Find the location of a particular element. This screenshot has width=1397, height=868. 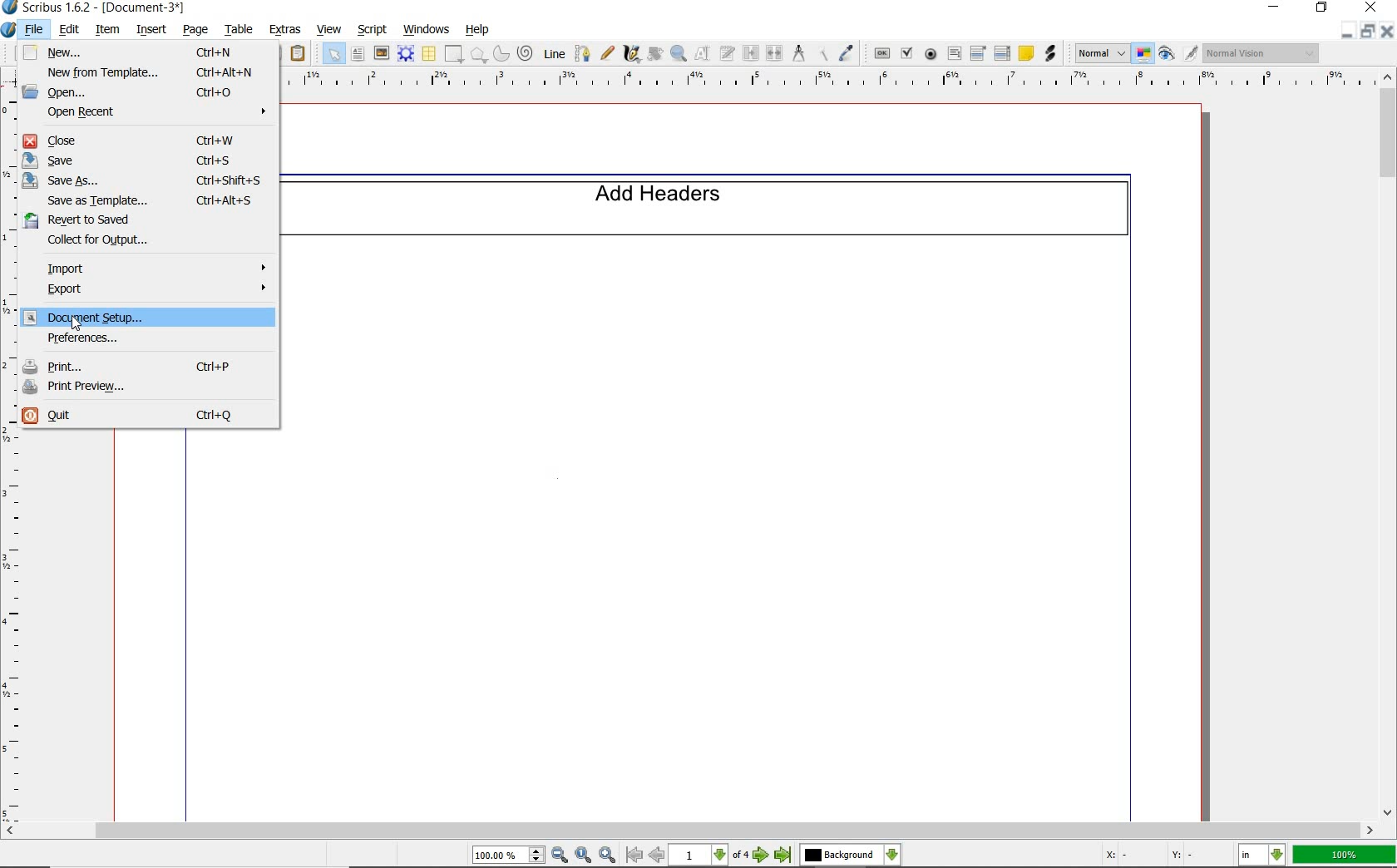

line is located at coordinates (554, 52).